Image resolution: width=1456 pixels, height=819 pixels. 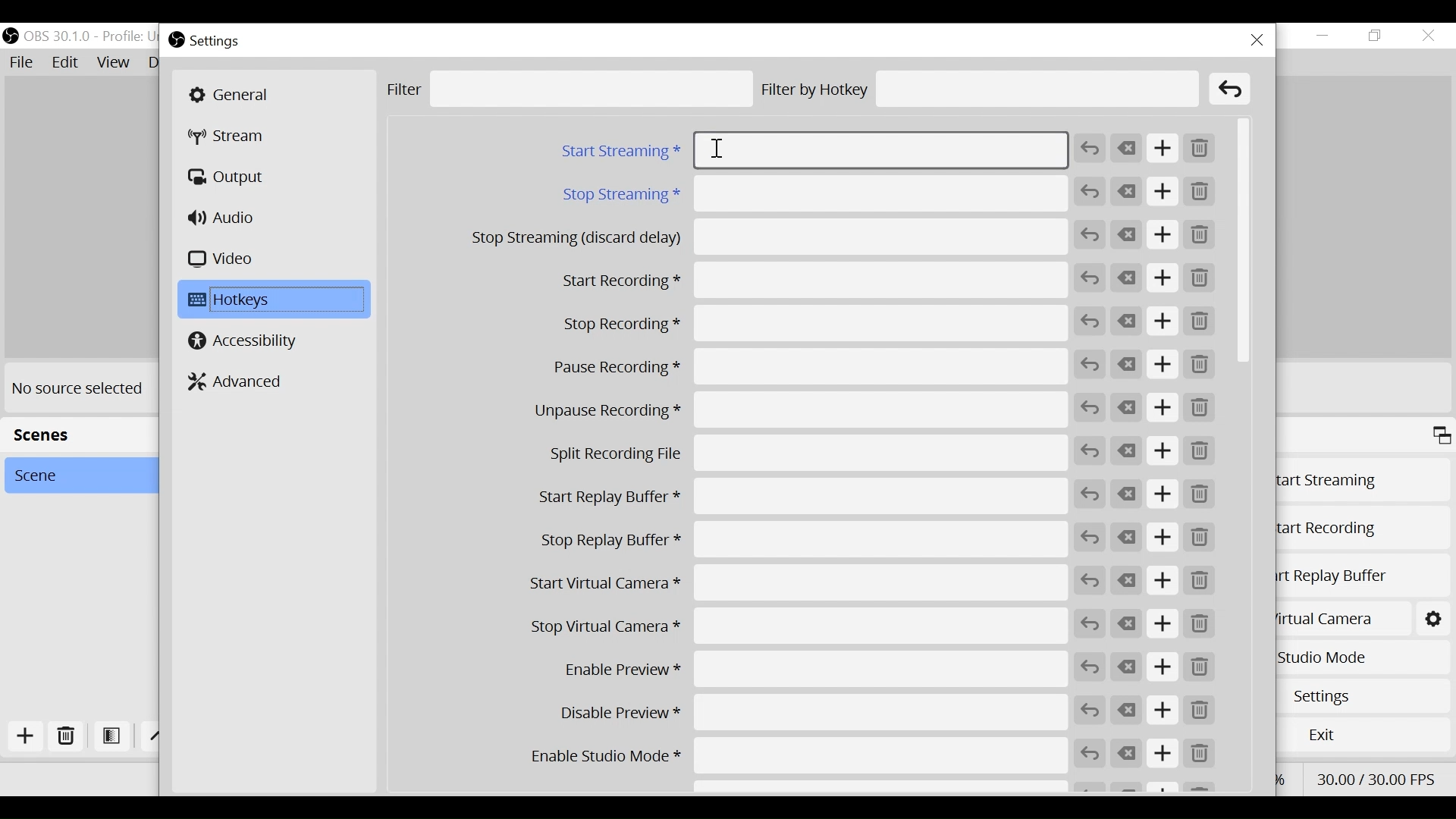 I want to click on Add, so click(x=1163, y=322).